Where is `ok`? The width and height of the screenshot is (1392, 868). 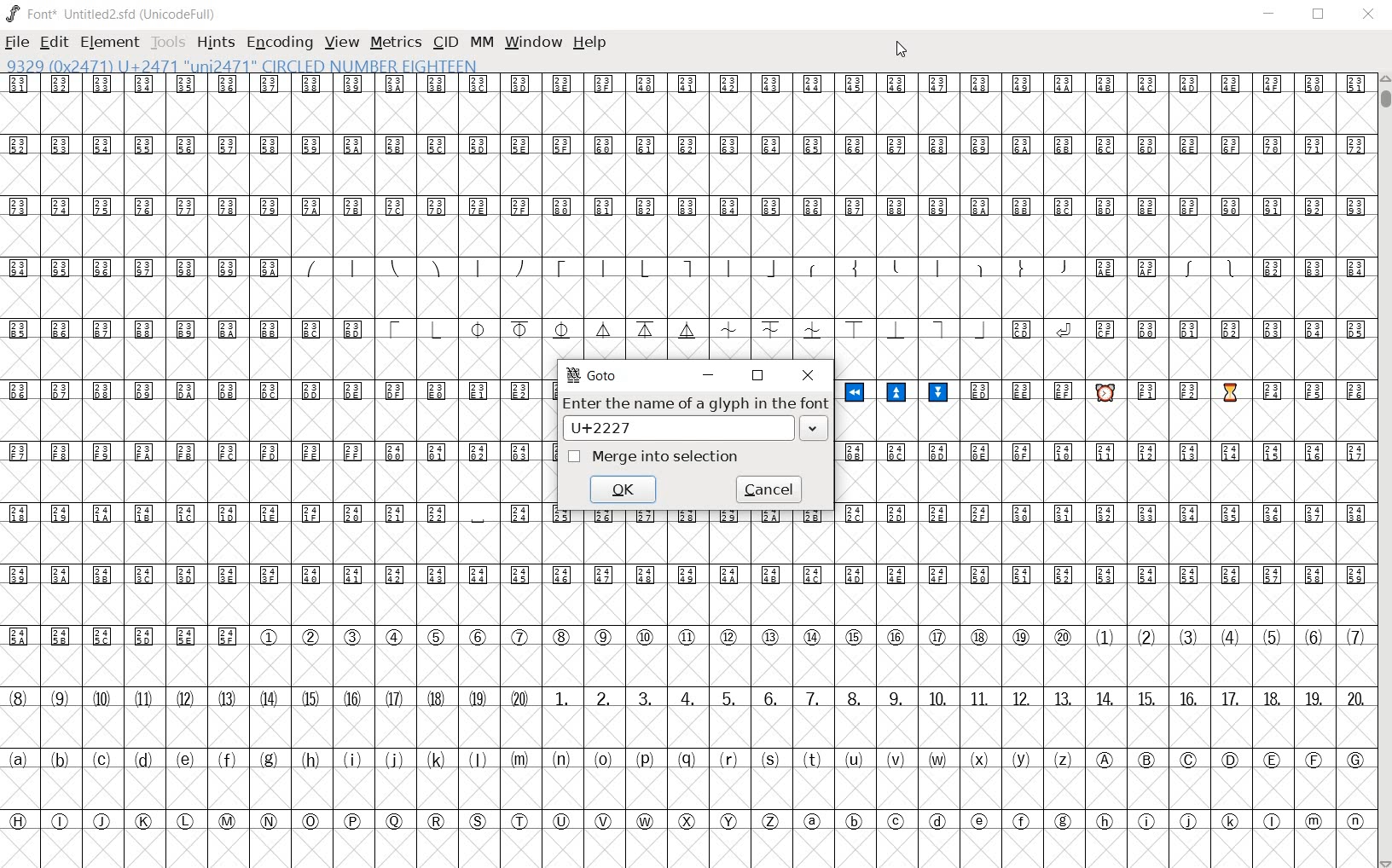
ok is located at coordinates (623, 488).